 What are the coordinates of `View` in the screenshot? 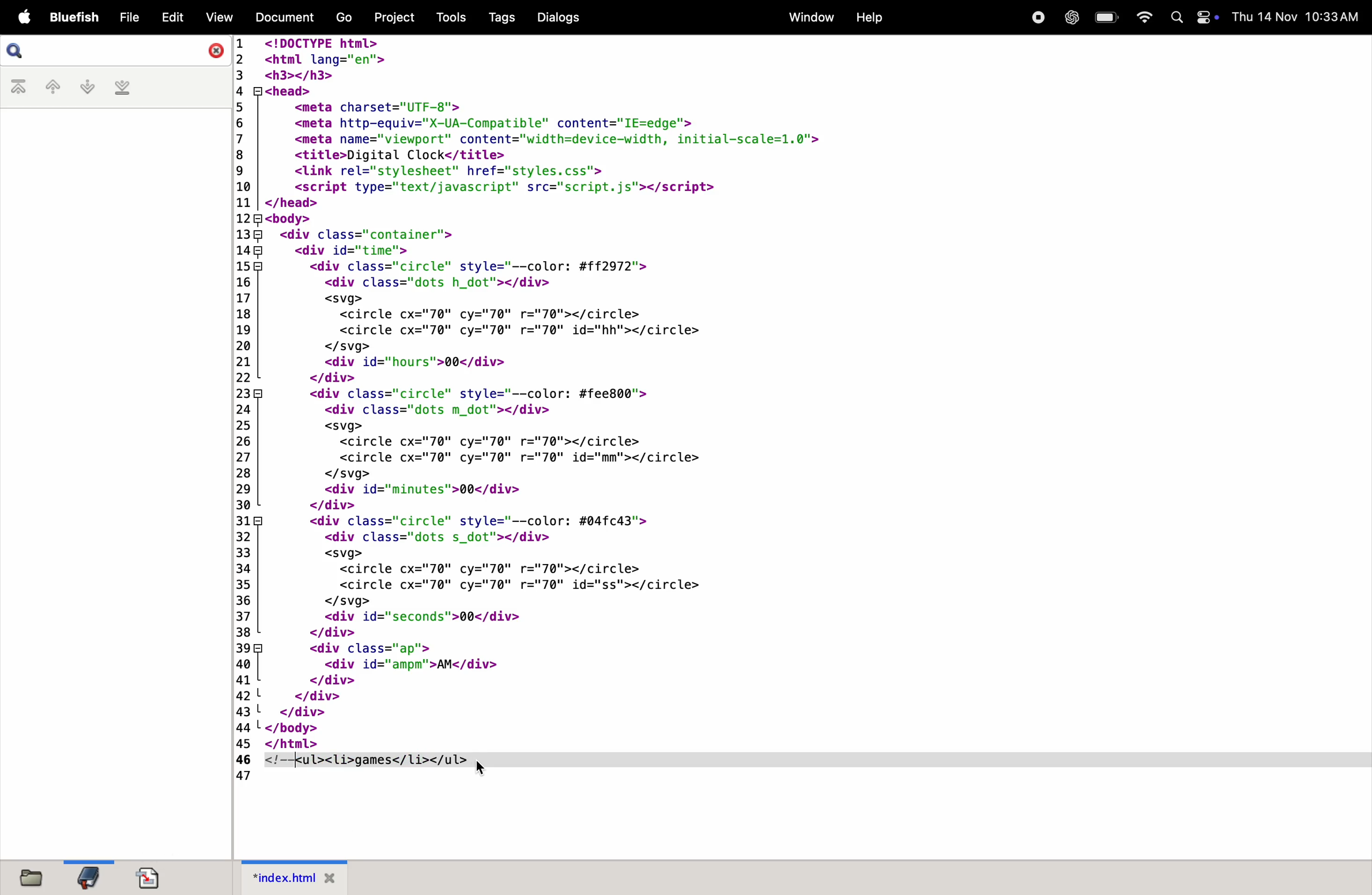 It's located at (219, 17).